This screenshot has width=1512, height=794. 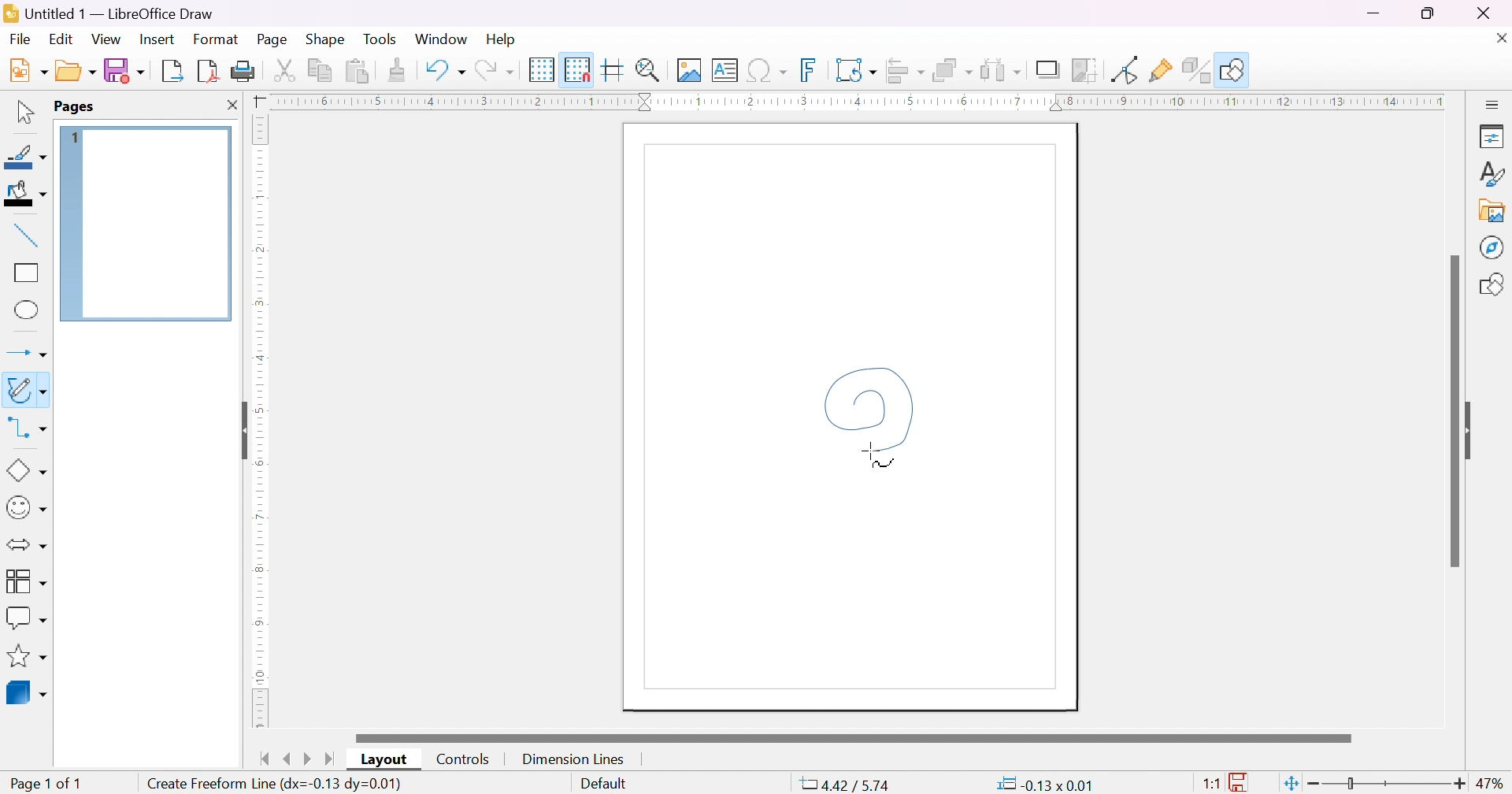 I want to click on page 1, so click(x=145, y=224).